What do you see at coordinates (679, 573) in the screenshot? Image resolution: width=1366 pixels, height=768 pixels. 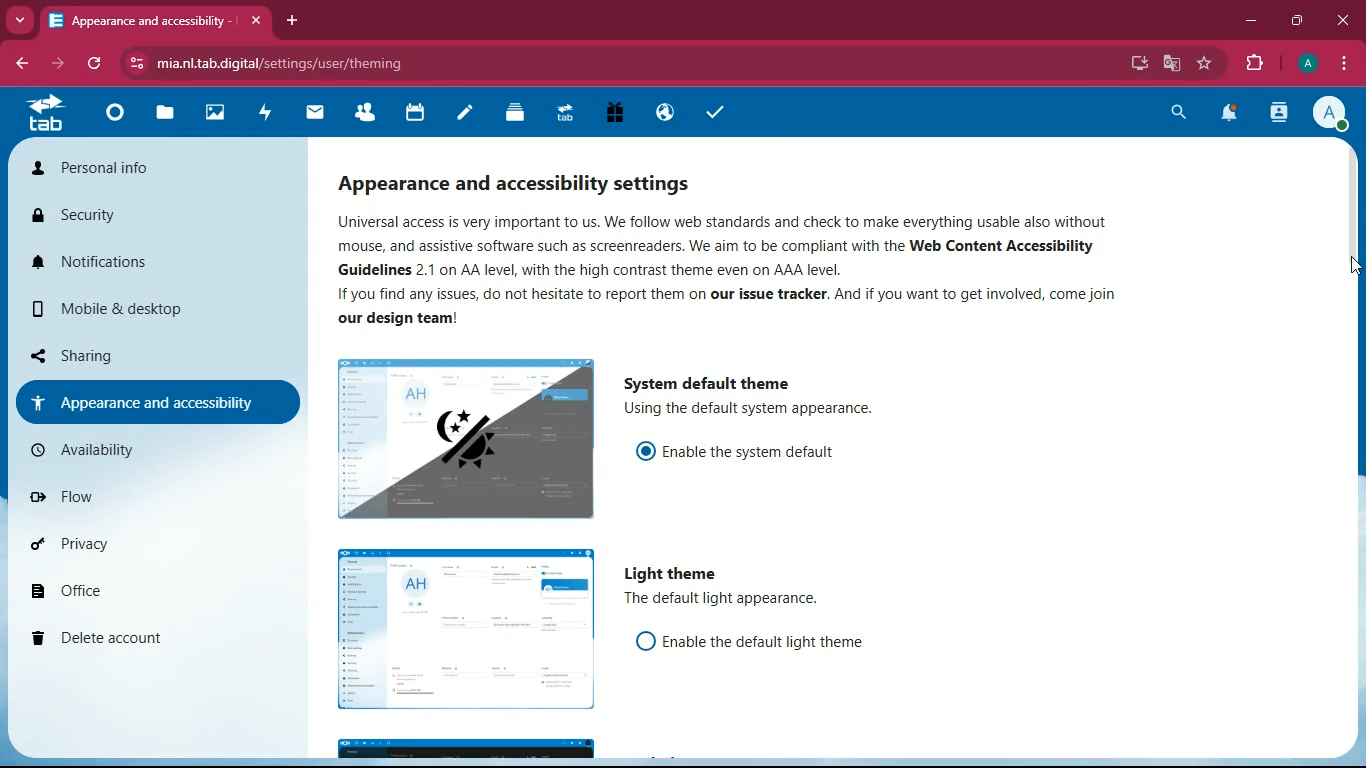 I see `light theme` at bounding box center [679, 573].